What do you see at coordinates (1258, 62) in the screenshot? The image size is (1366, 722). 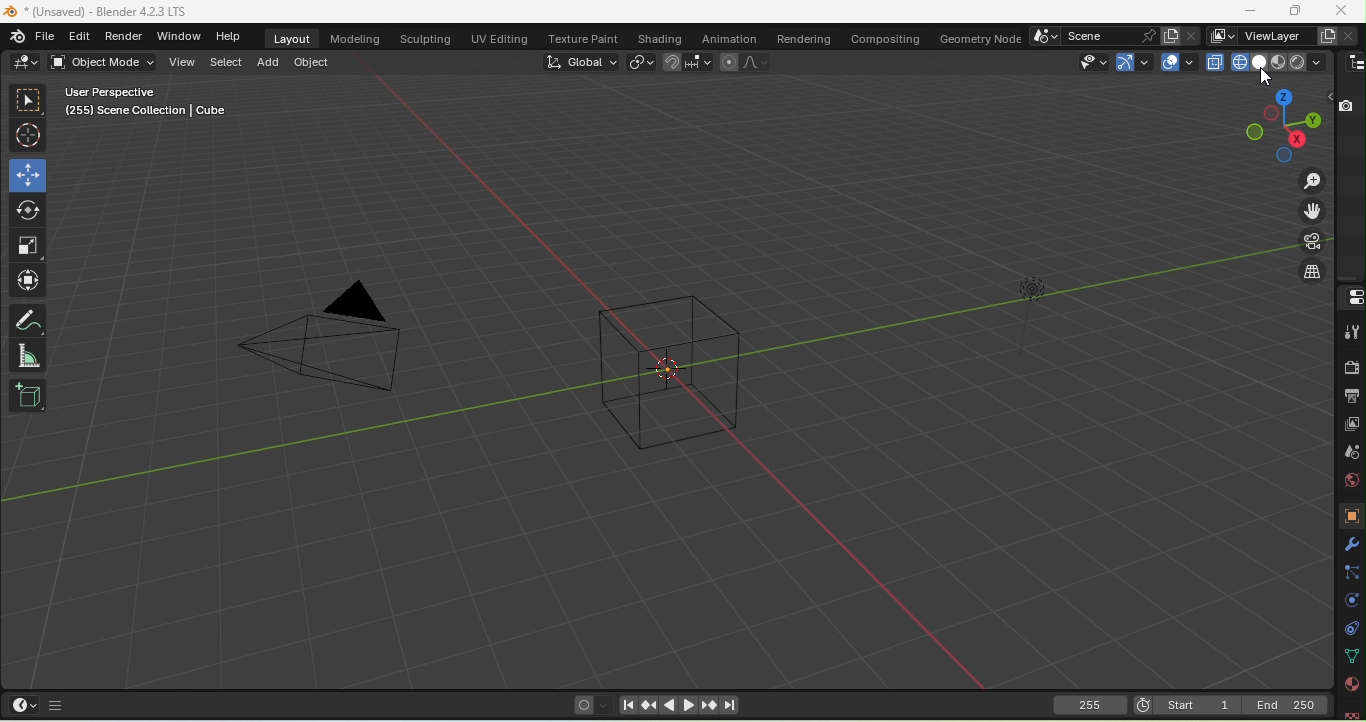 I see `Viewport shading: Solid` at bounding box center [1258, 62].